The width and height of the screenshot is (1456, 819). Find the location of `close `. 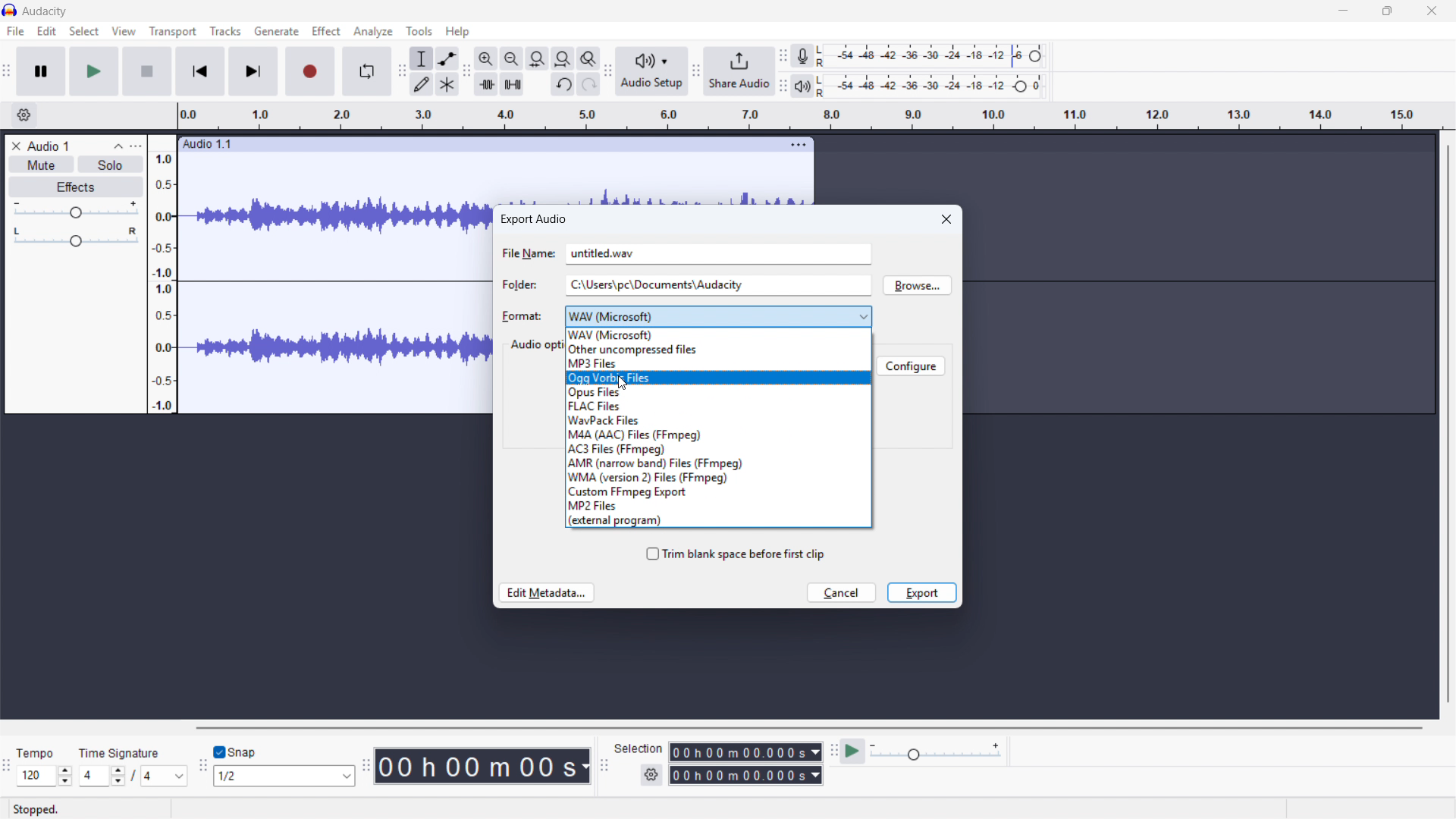

close  is located at coordinates (1432, 11).